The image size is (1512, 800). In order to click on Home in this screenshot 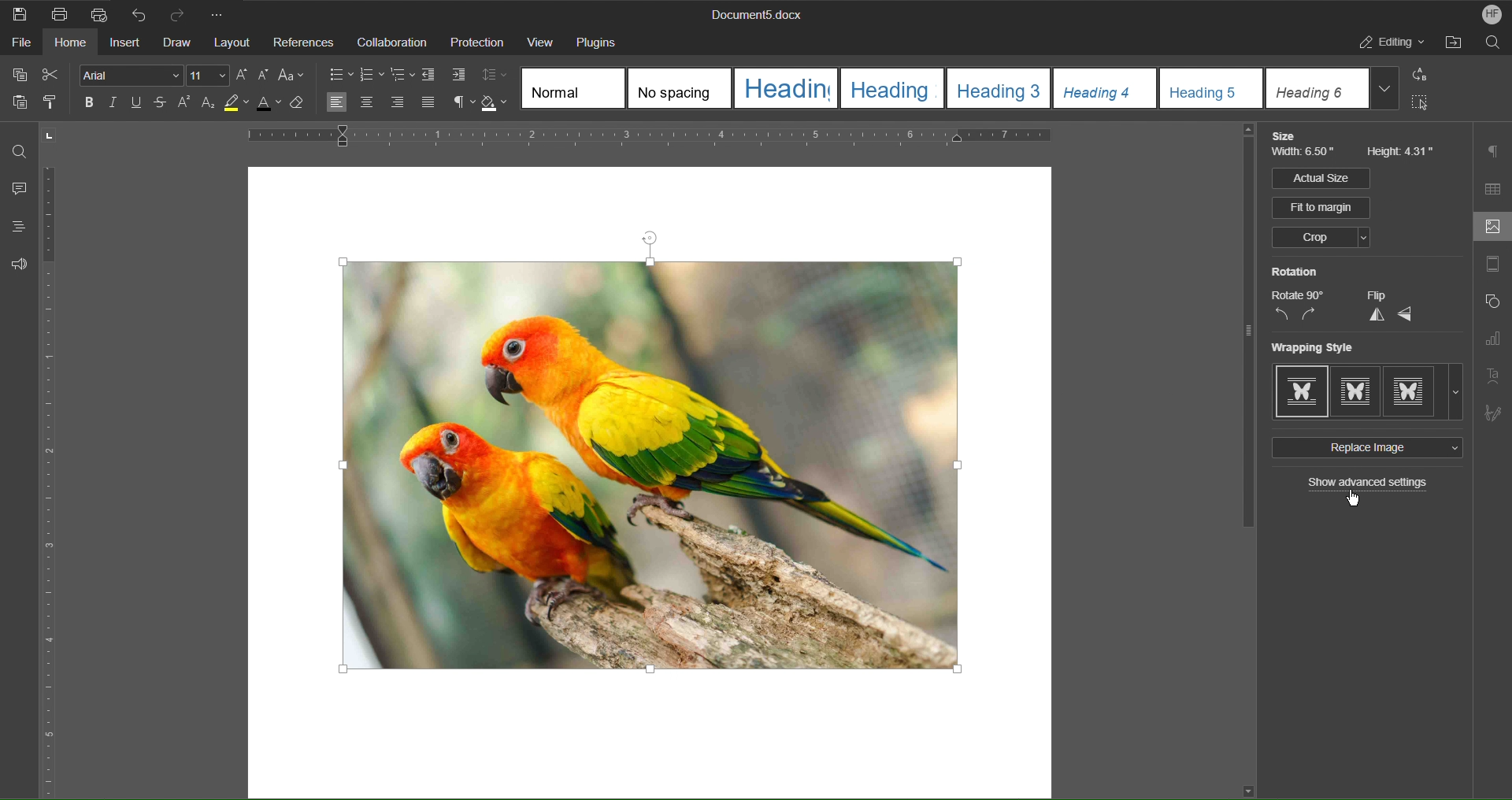, I will do `click(72, 45)`.